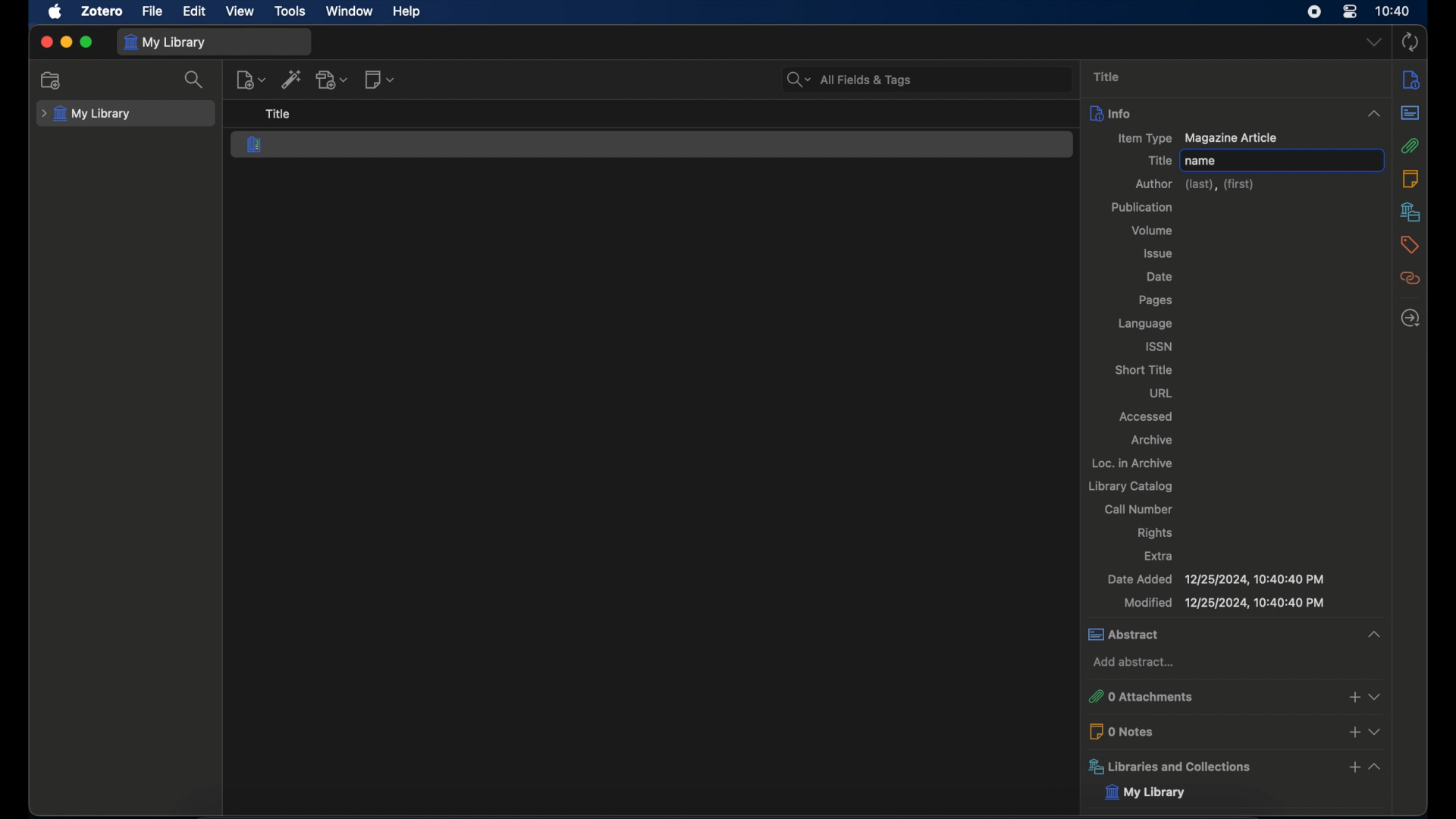  What do you see at coordinates (1159, 556) in the screenshot?
I see `extra` at bounding box center [1159, 556].